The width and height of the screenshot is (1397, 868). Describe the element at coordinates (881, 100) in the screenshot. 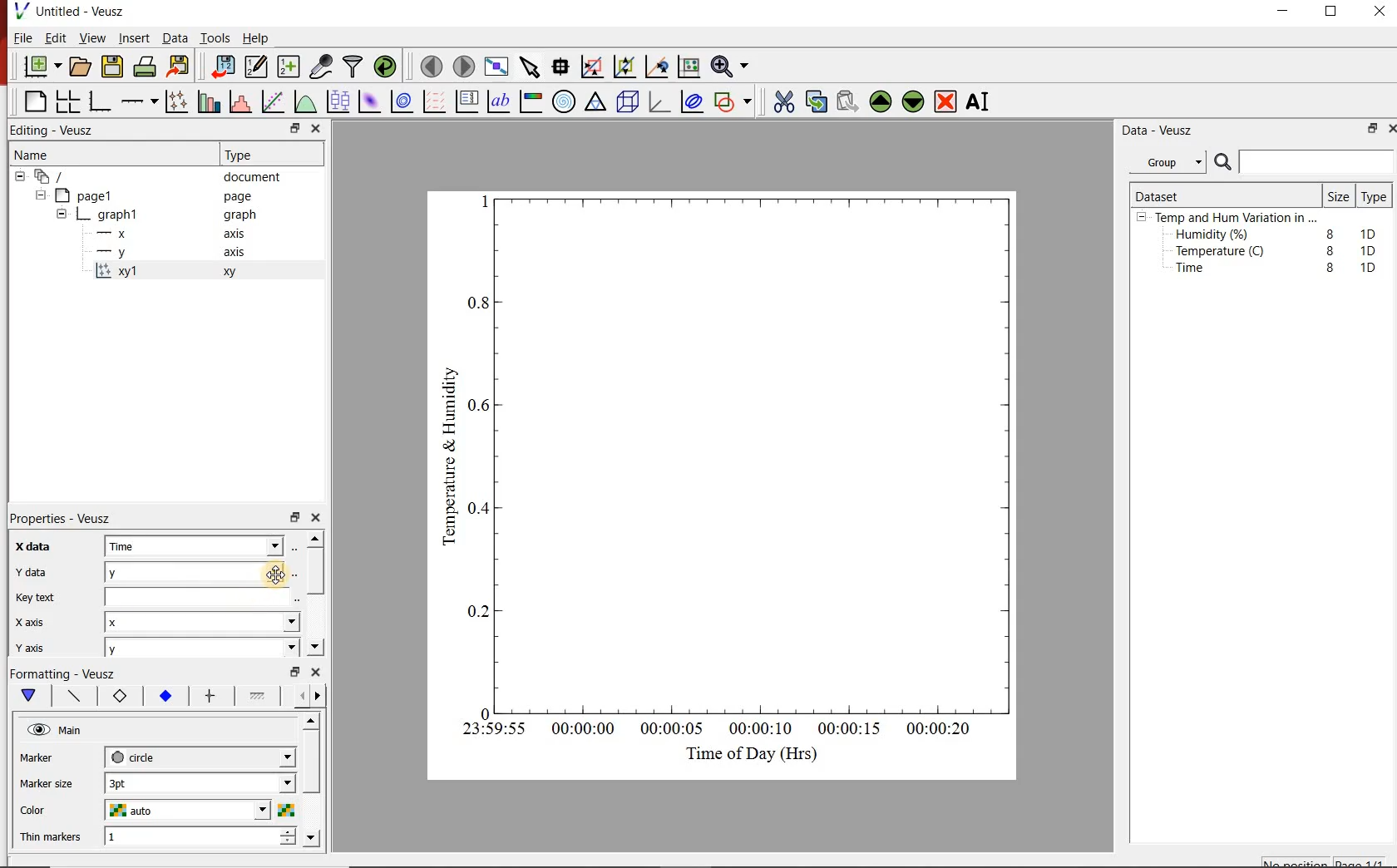

I see `Move the selected widget up` at that location.